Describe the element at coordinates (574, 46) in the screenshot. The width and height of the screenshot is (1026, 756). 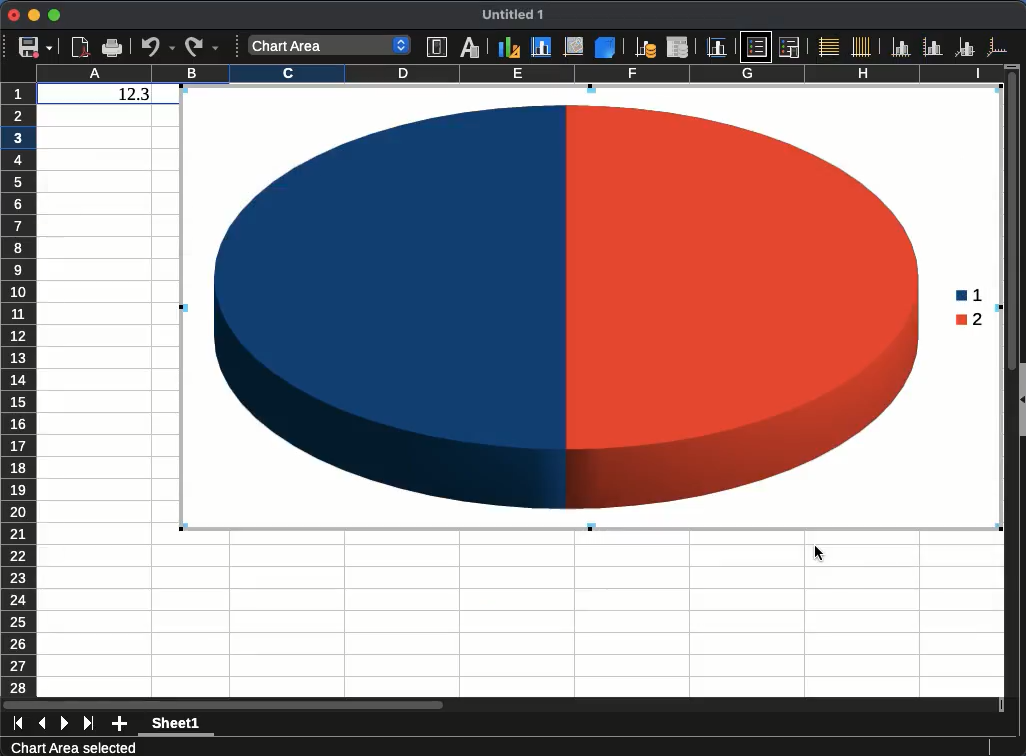
I see `Chart wall` at that location.